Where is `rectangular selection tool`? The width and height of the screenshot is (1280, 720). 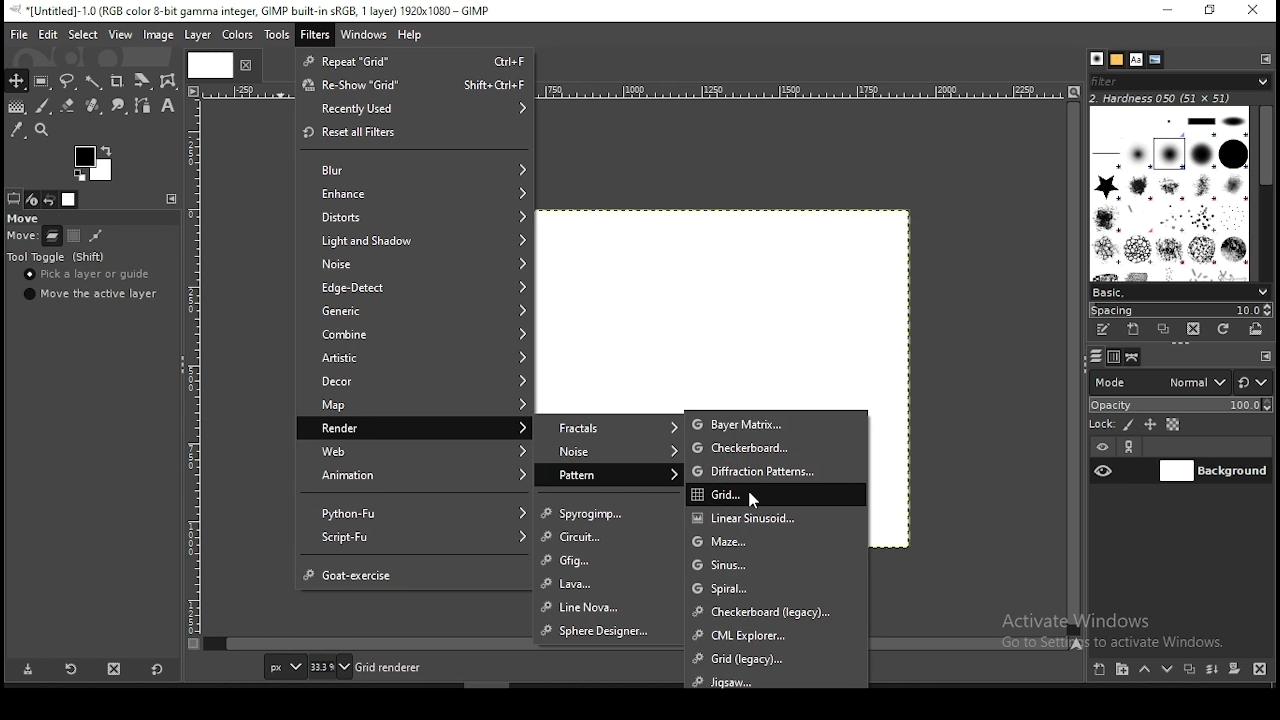
rectangular selection tool is located at coordinates (43, 82).